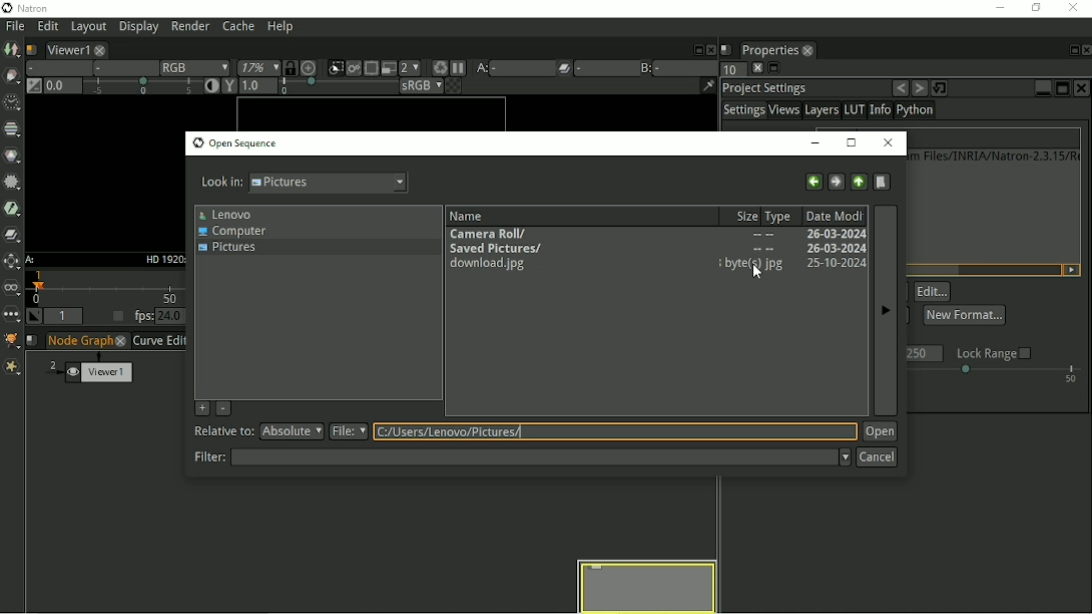  I want to click on Checkerboard, so click(445, 87).